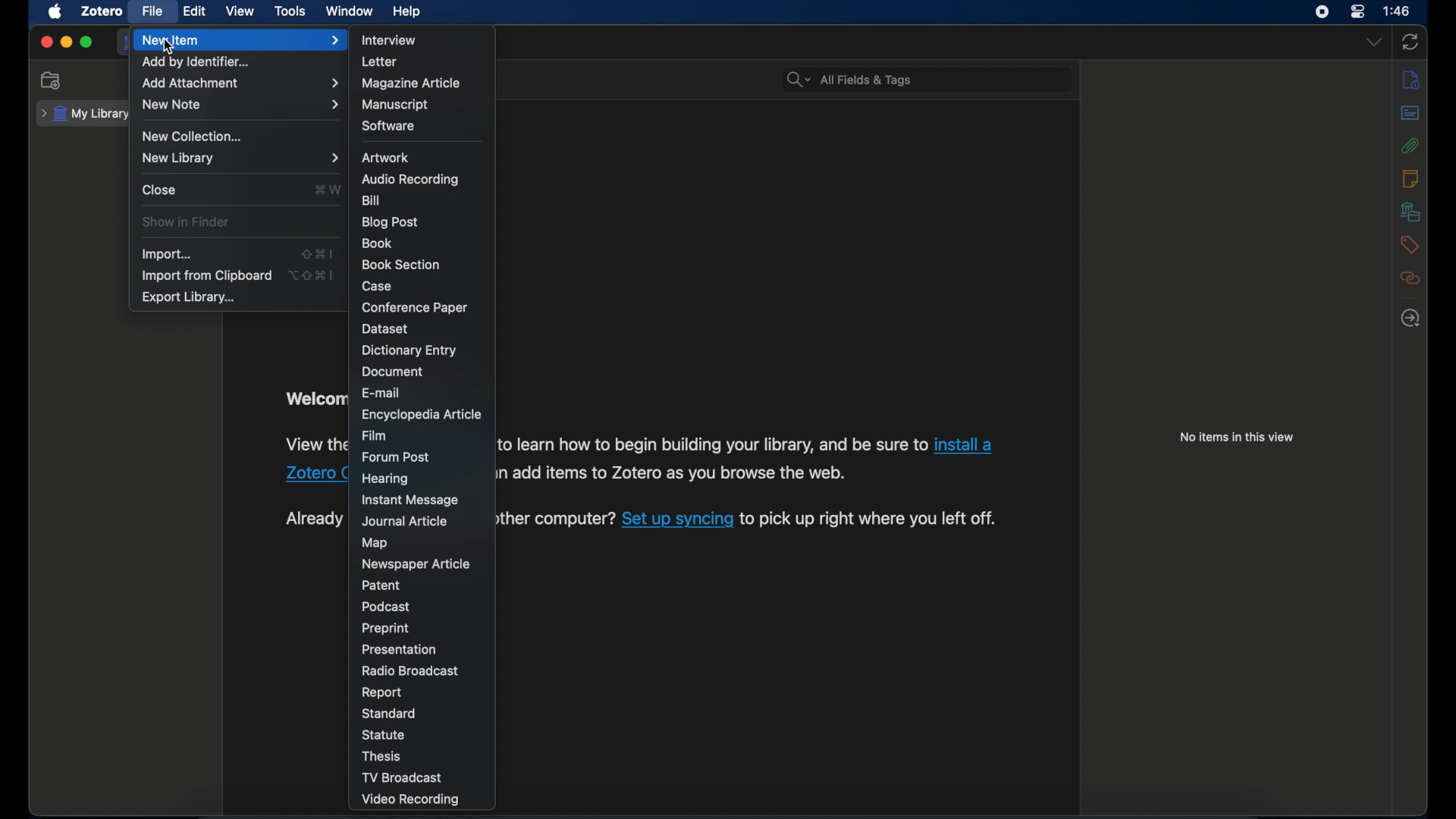 The image size is (1456, 819). Describe the element at coordinates (65, 42) in the screenshot. I see `minimize` at that location.